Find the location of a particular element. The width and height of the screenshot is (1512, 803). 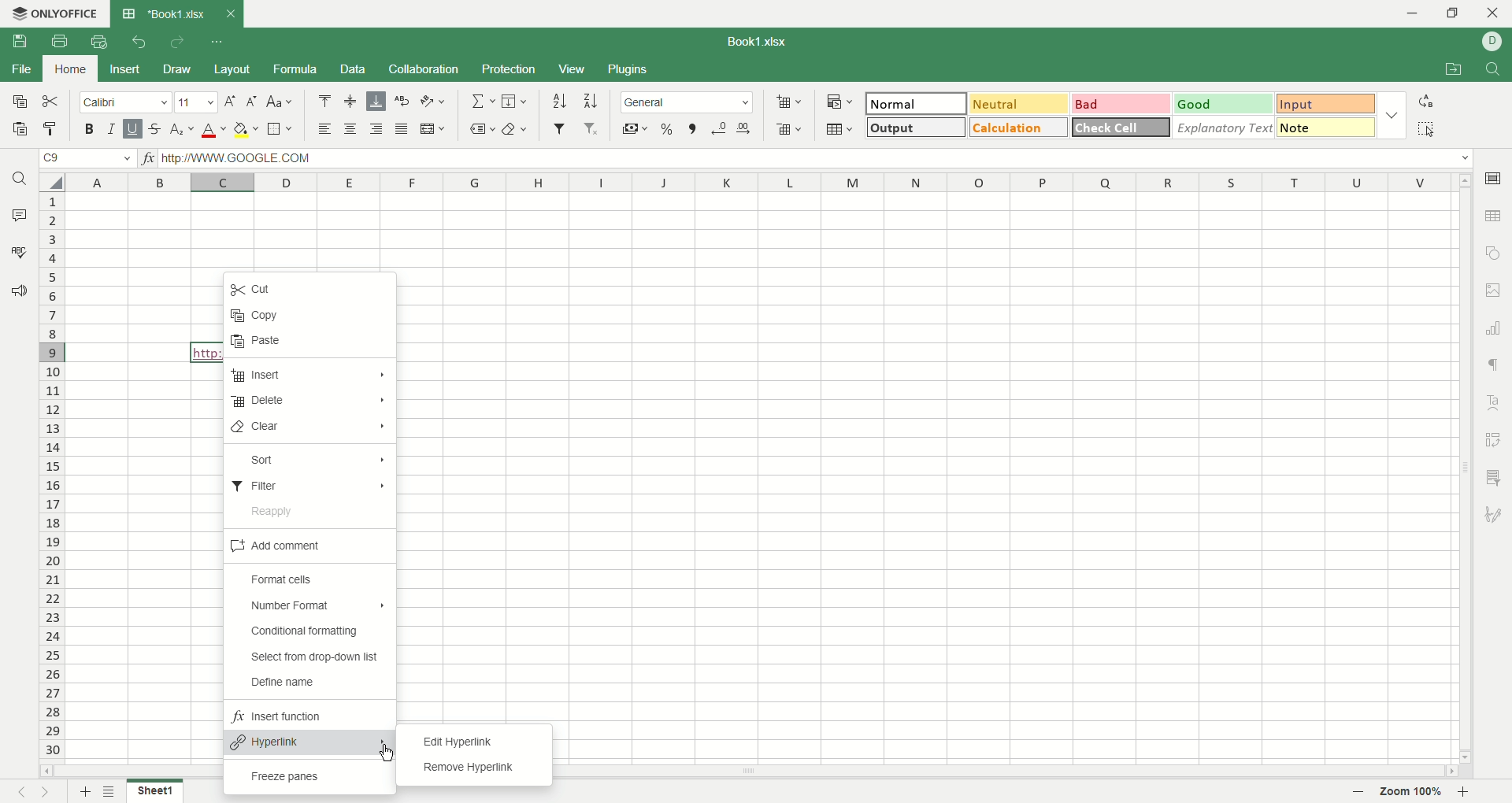

calculation is located at coordinates (1019, 128).